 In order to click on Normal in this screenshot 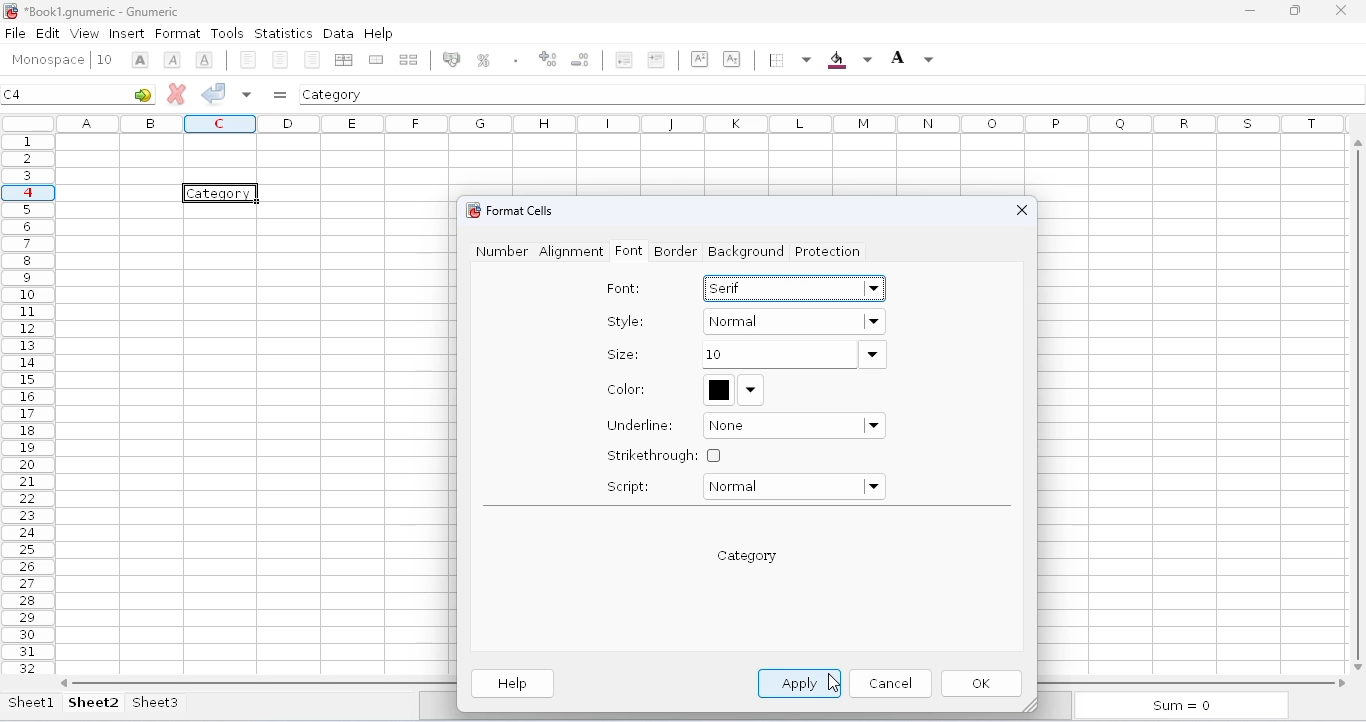, I will do `click(794, 324)`.